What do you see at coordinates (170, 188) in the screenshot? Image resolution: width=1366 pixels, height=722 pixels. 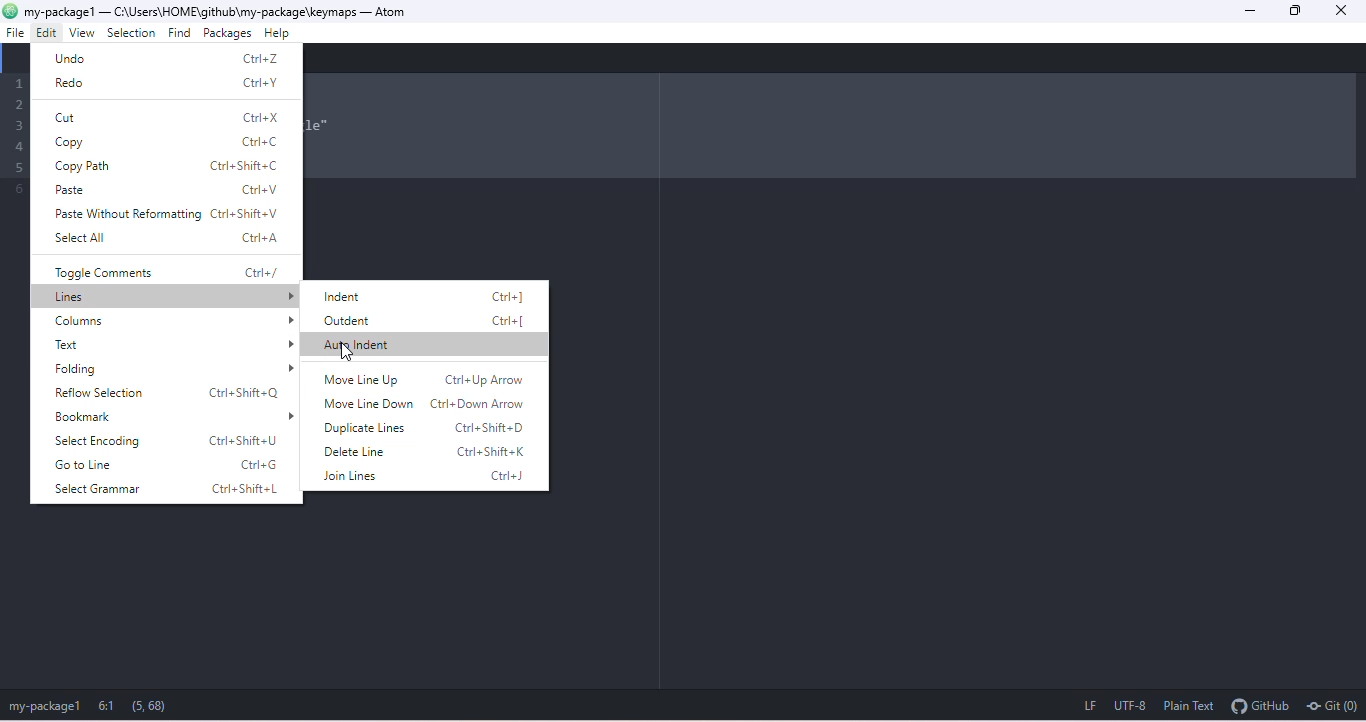 I see `paste` at bounding box center [170, 188].